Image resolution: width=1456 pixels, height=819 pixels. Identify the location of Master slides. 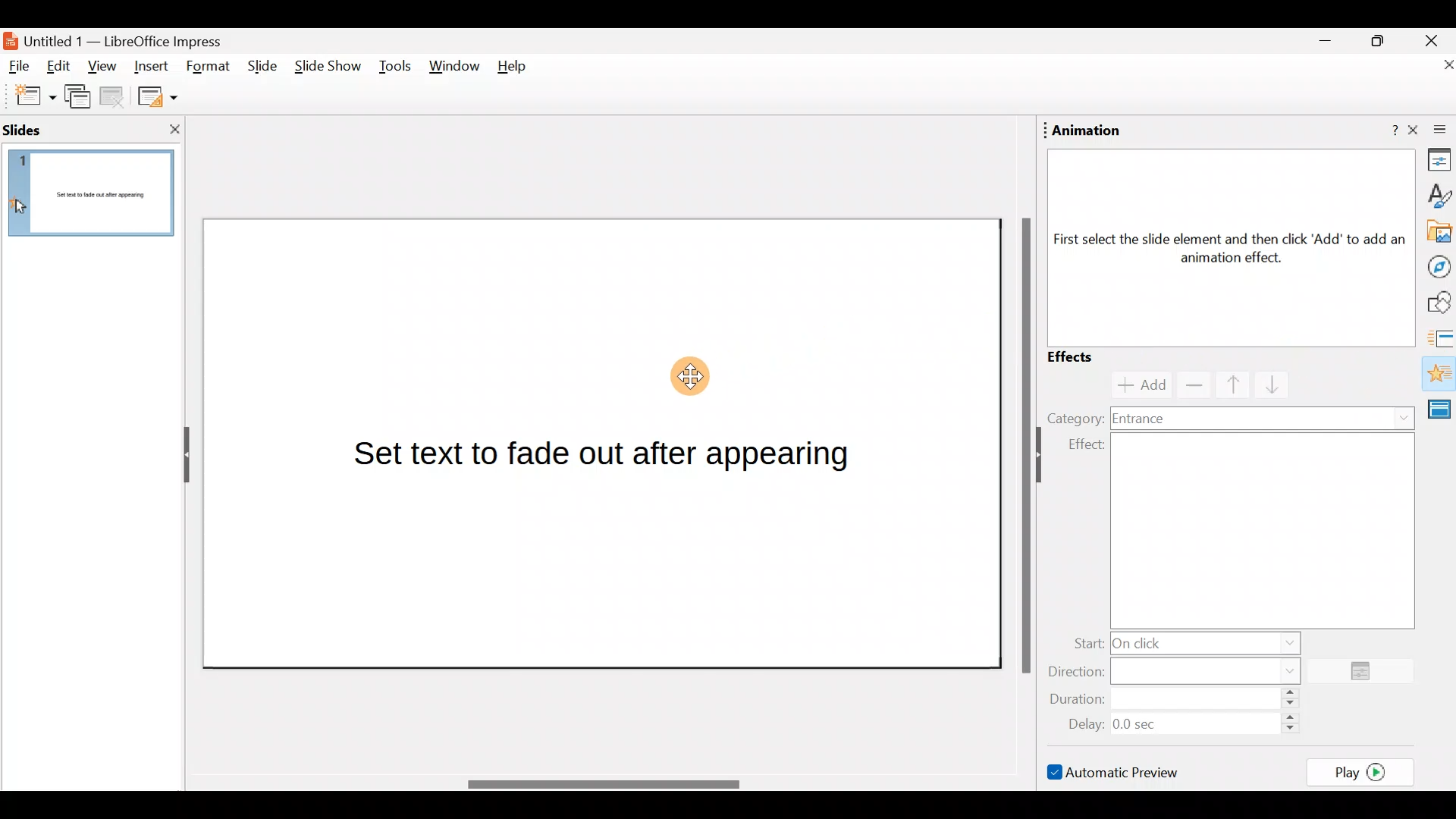
(1442, 416).